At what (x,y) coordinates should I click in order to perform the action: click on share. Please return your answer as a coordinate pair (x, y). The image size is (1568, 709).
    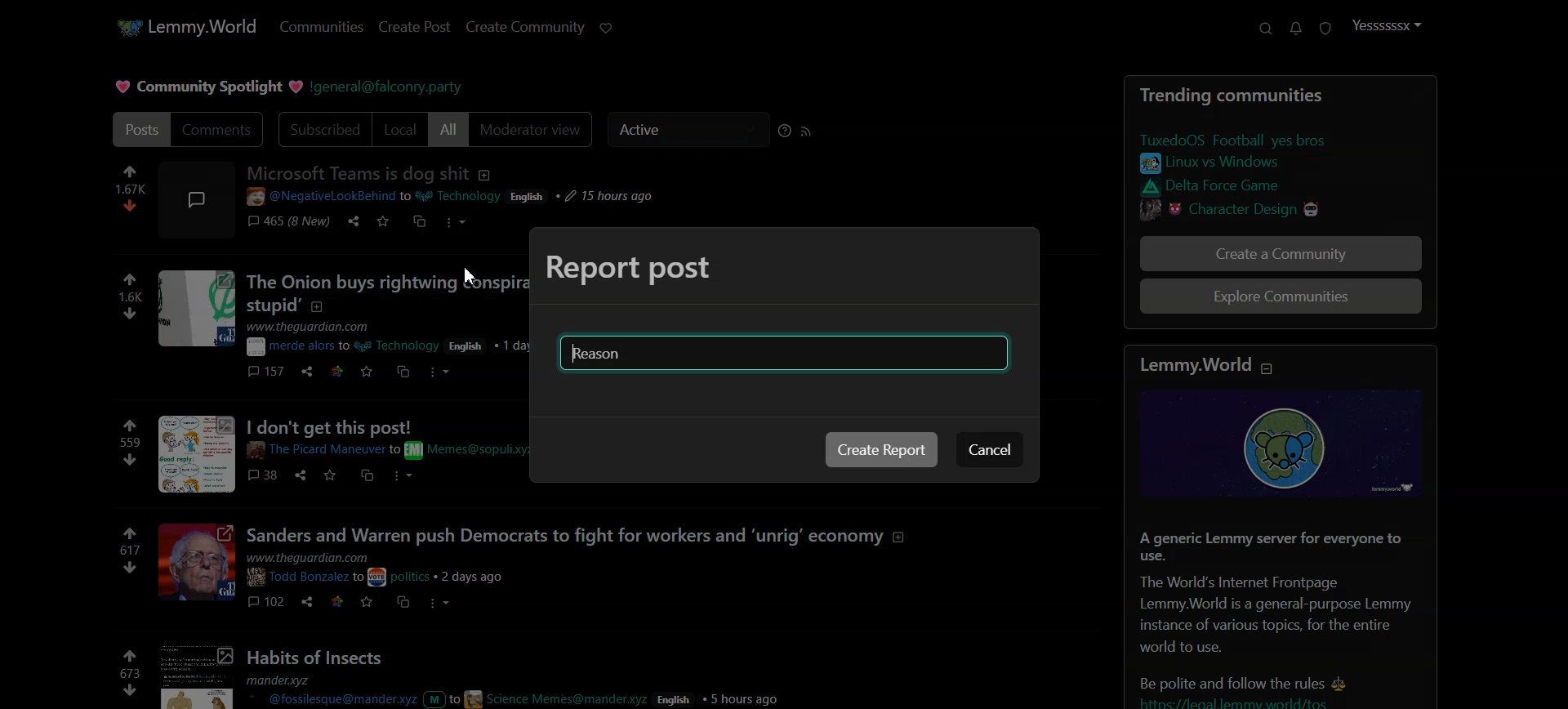
    Looking at the image, I should click on (308, 600).